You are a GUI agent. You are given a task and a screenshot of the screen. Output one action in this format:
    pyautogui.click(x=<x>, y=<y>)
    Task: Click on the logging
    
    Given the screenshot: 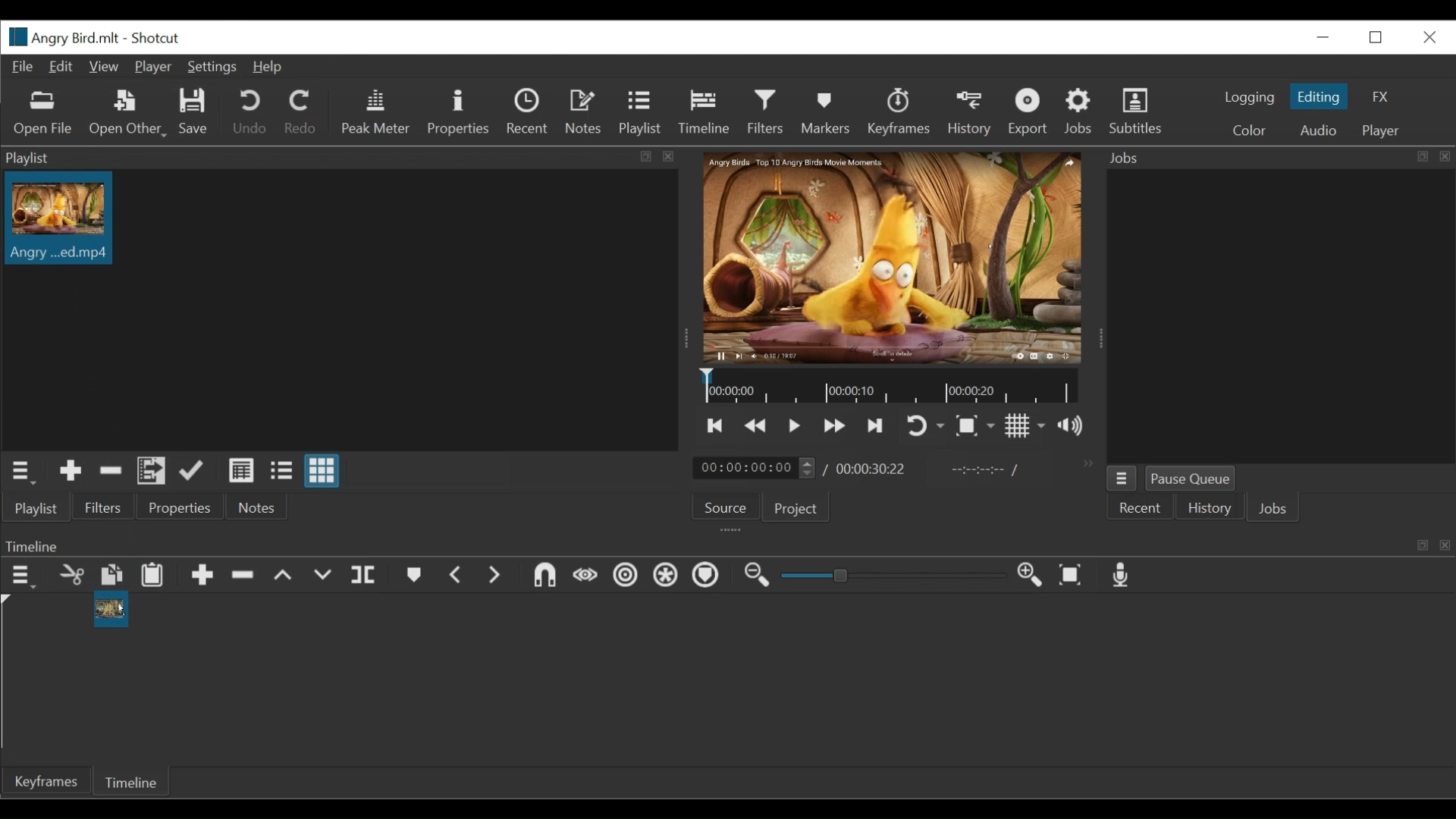 What is the action you would take?
    pyautogui.click(x=1250, y=97)
    